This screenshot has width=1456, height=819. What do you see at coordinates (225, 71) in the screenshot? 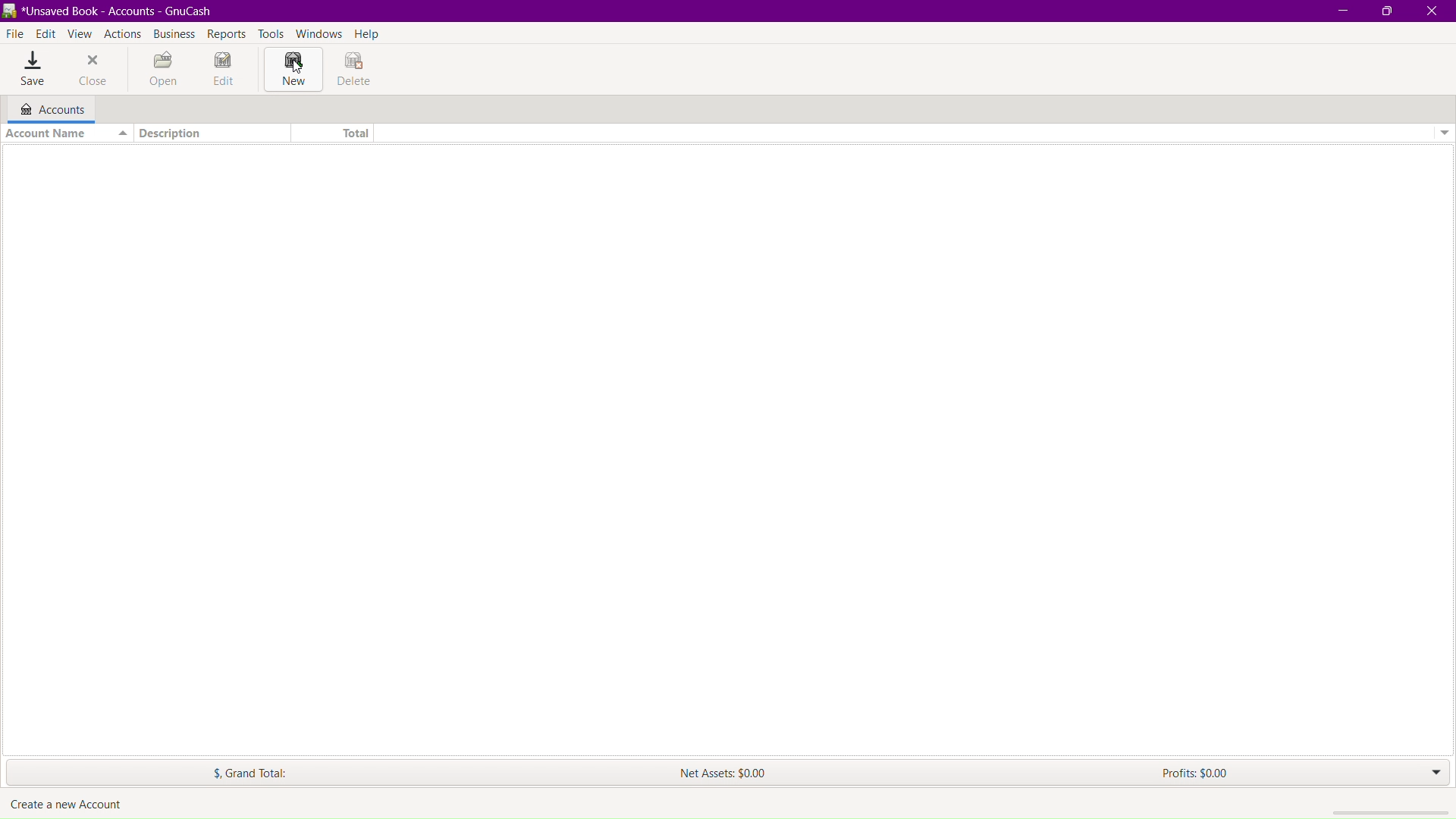
I see `Edit` at bounding box center [225, 71].